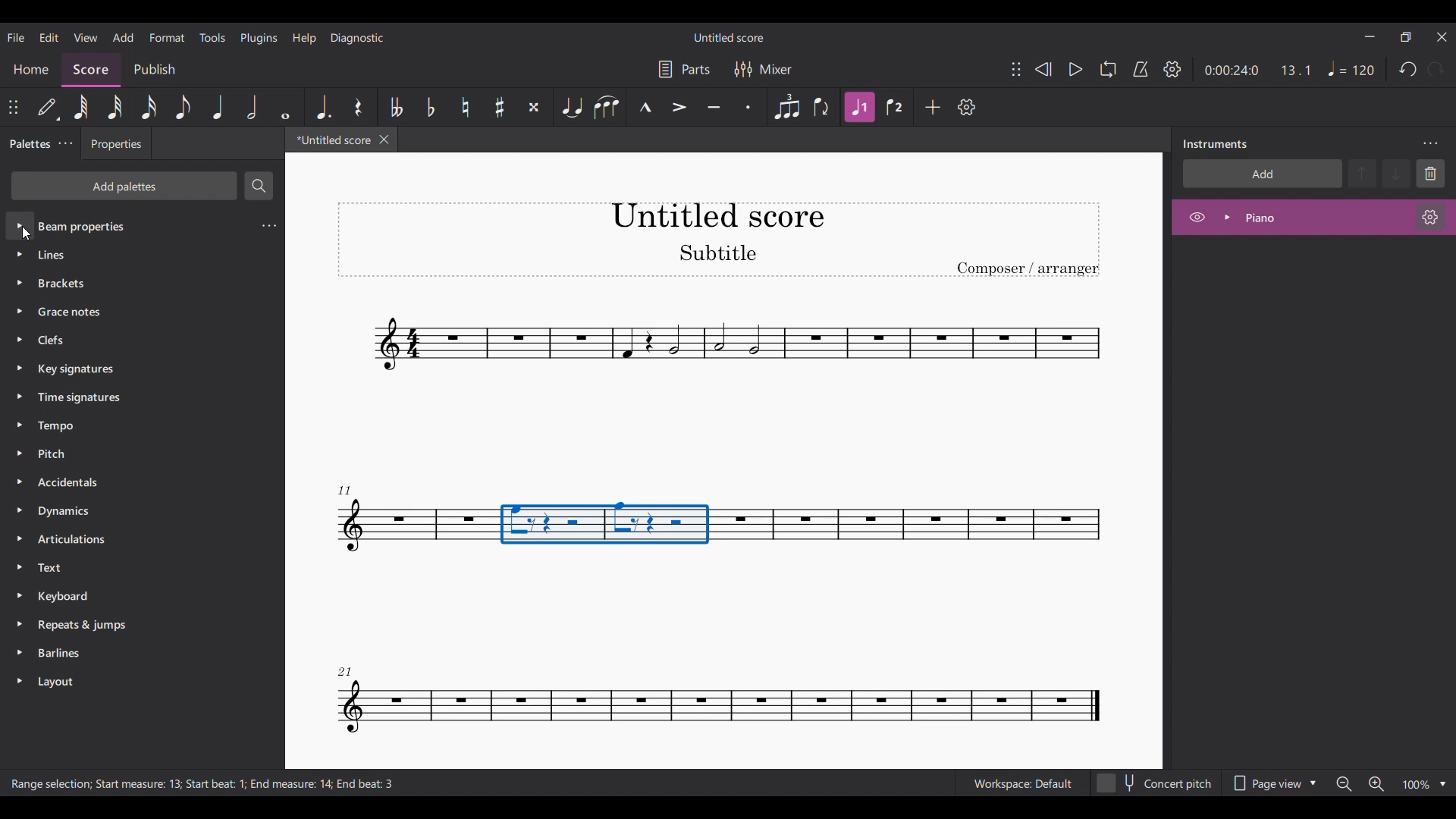  I want to click on Current score, so click(723, 372).